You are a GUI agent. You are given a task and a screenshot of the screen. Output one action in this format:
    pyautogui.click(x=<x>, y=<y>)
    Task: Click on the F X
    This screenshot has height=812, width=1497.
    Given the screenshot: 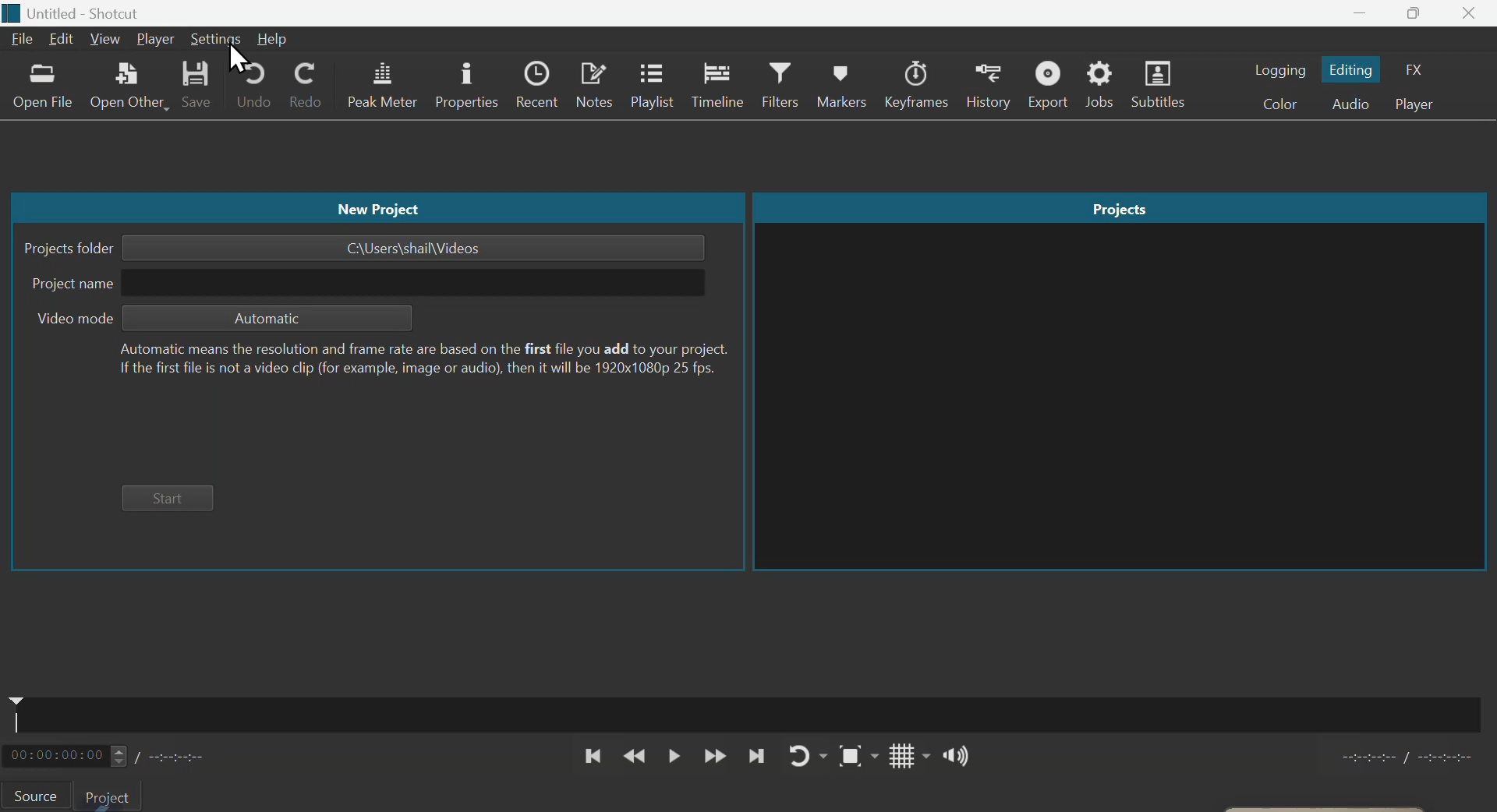 What is the action you would take?
    pyautogui.click(x=1423, y=67)
    